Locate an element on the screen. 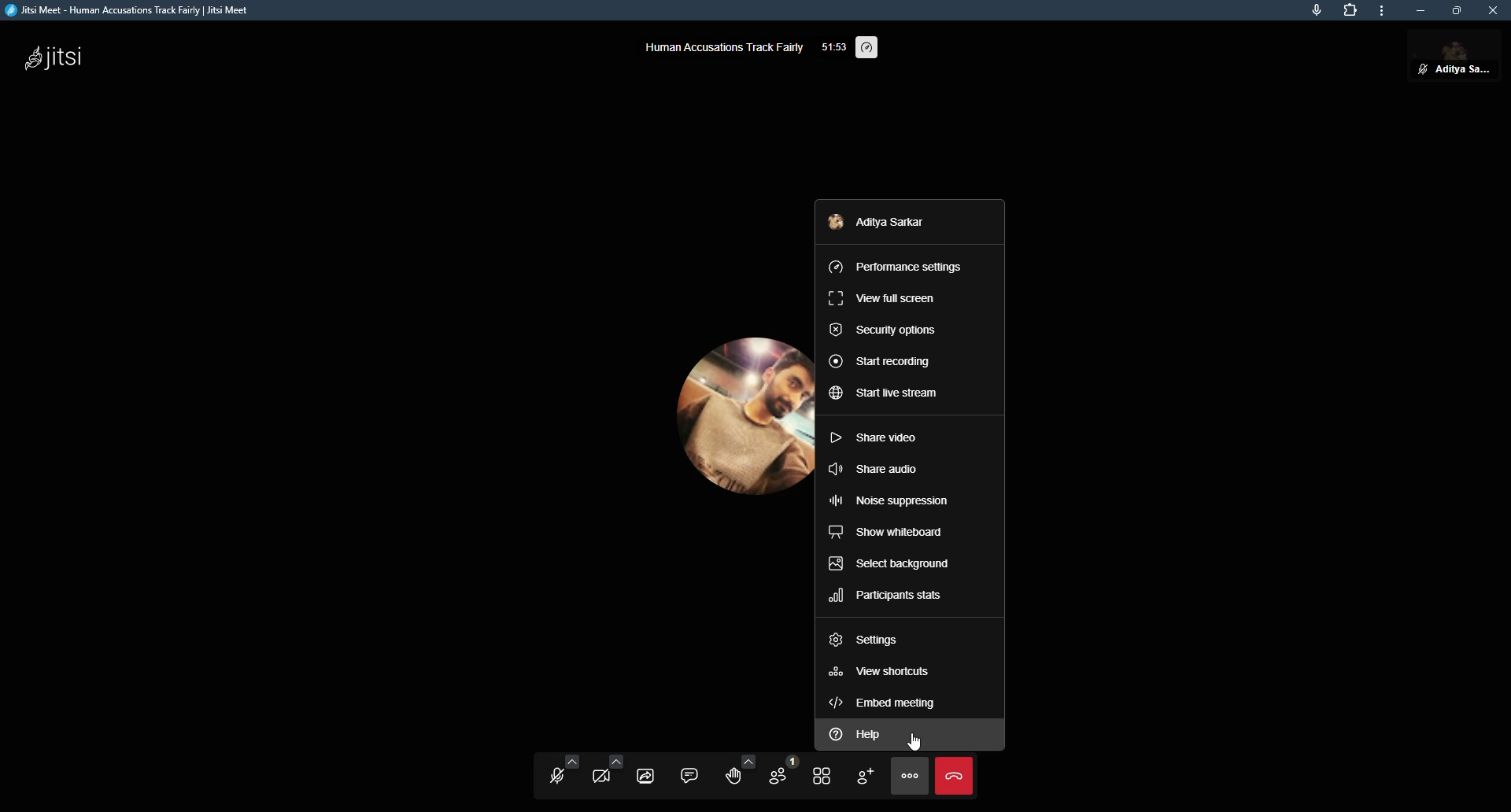 This screenshot has width=1511, height=812. embed meeting is located at coordinates (884, 703).